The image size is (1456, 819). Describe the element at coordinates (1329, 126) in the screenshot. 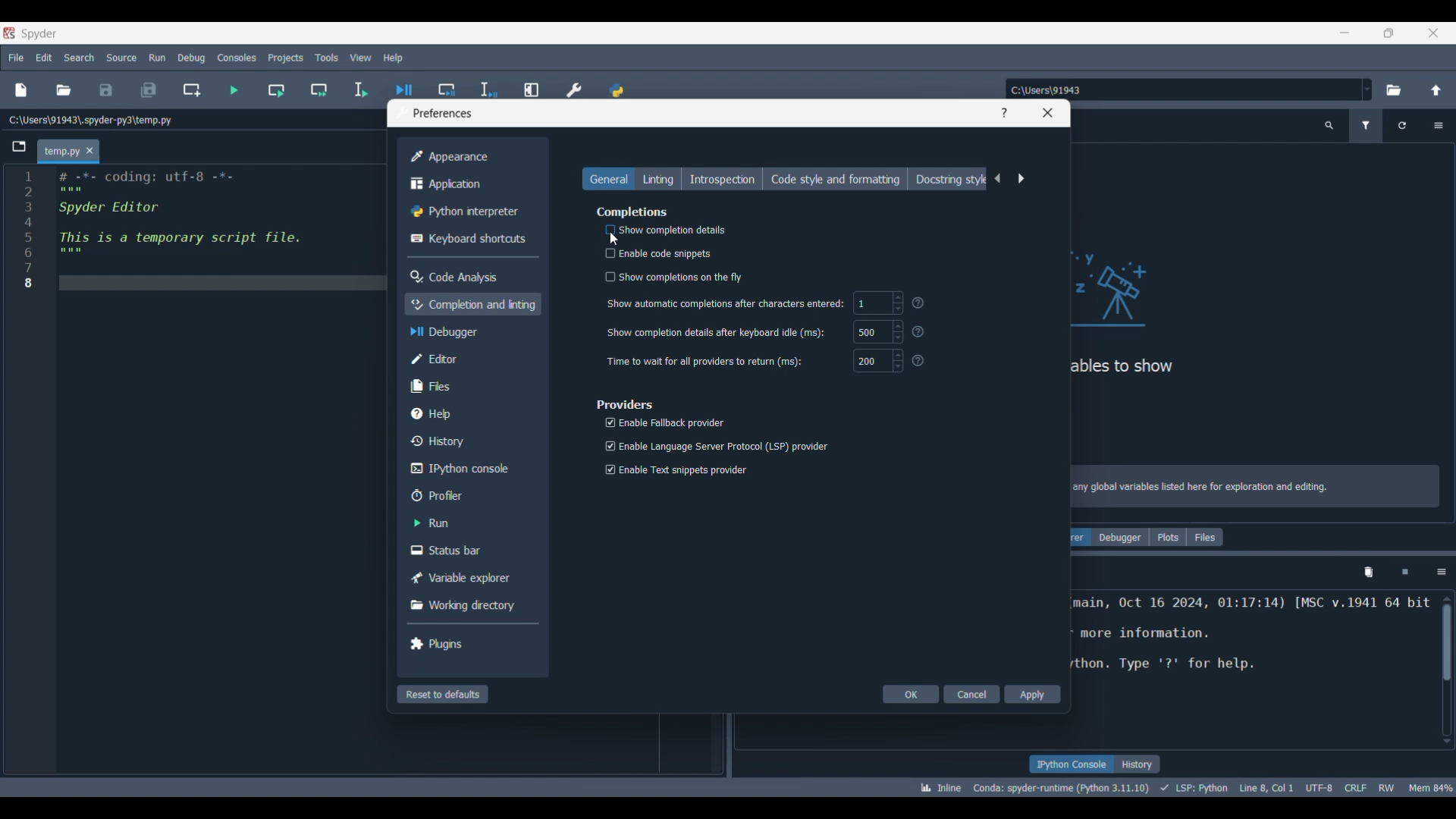

I see `Search variable names and types` at that location.